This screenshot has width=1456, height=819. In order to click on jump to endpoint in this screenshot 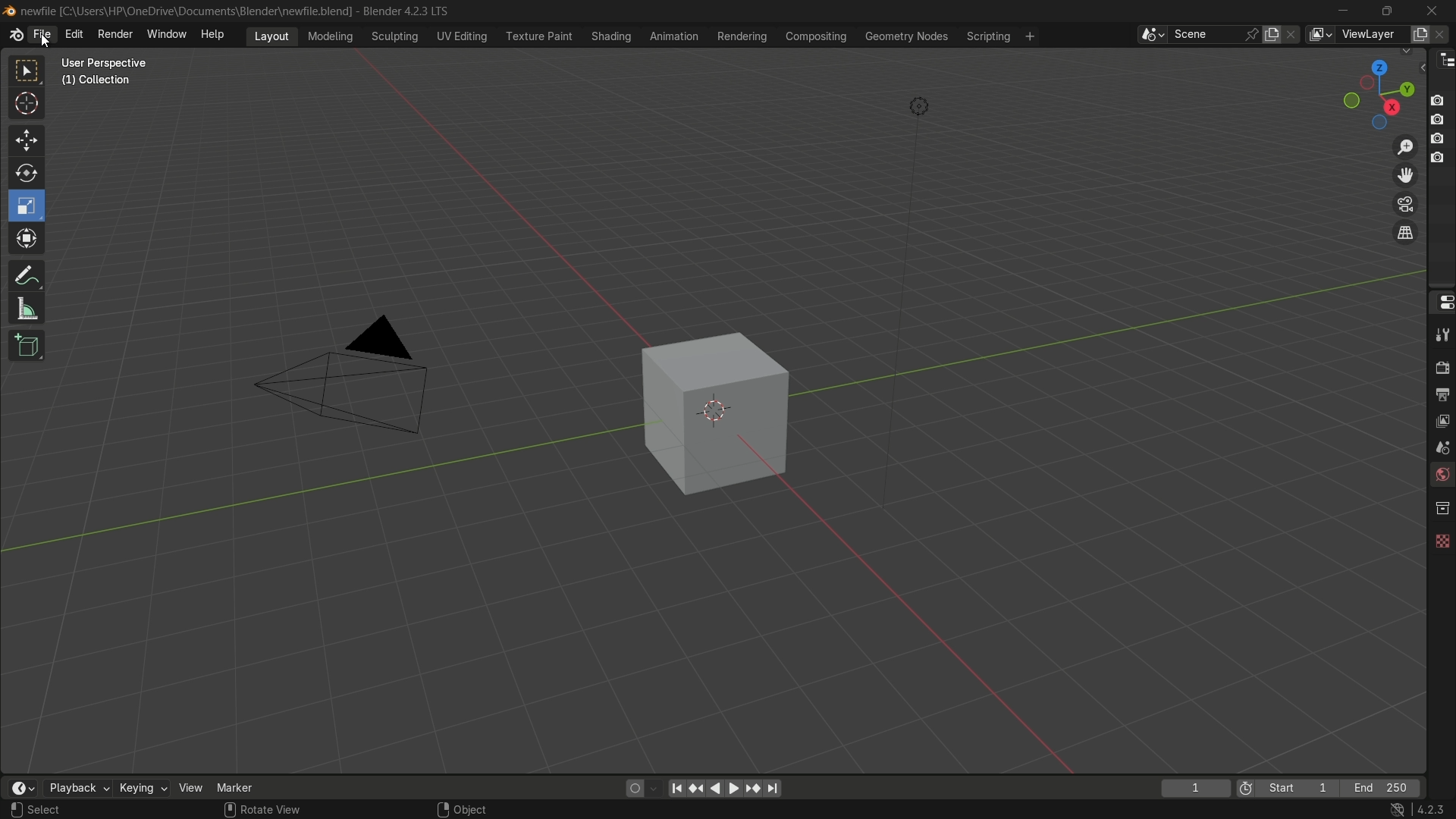, I will do `click(773, 789)`.